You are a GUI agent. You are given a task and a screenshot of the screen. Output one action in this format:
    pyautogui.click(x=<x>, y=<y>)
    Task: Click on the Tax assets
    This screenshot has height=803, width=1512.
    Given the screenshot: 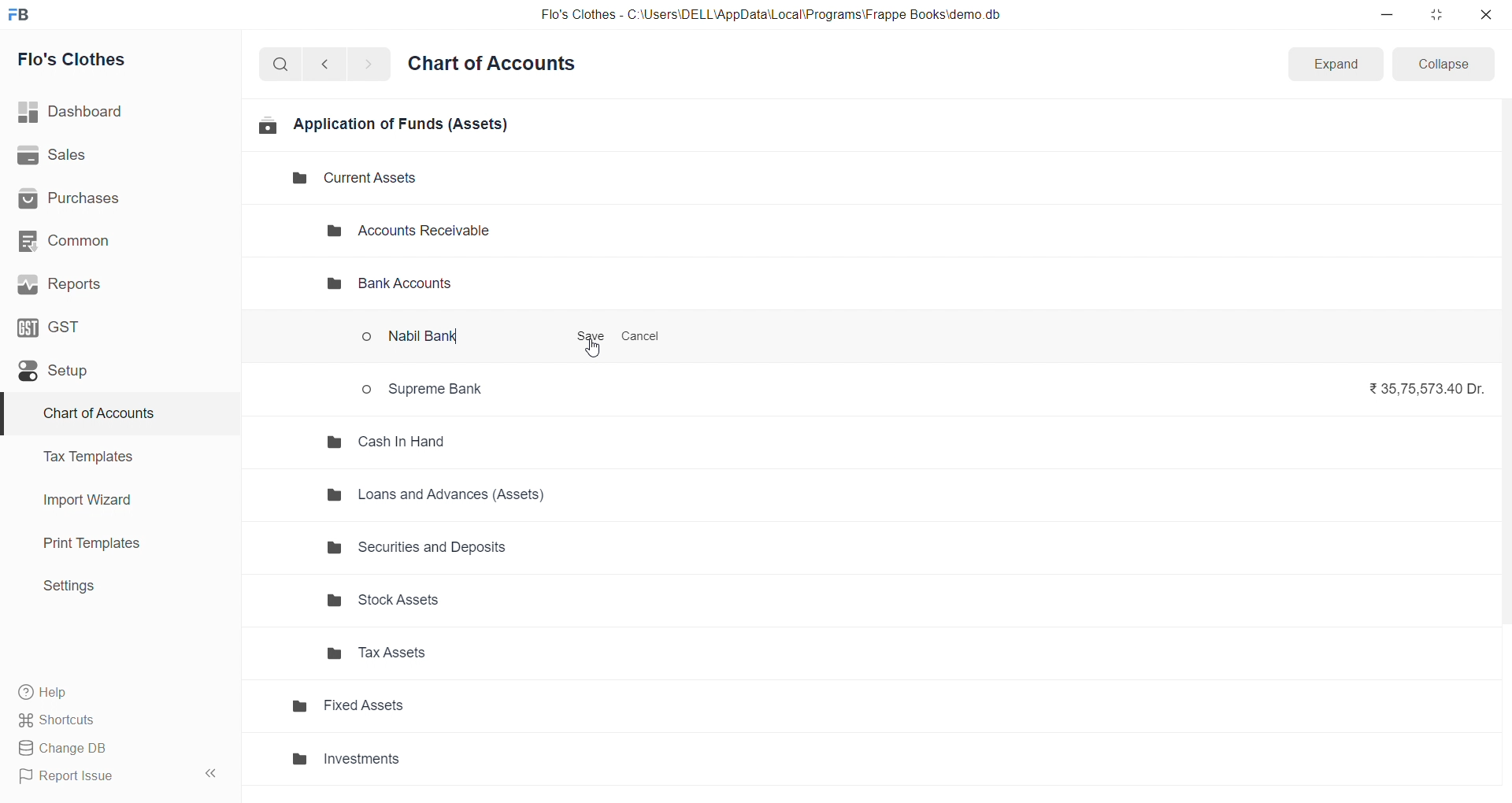 What is the action you would take?
    pyautogui.click(x=450, y=658)
    